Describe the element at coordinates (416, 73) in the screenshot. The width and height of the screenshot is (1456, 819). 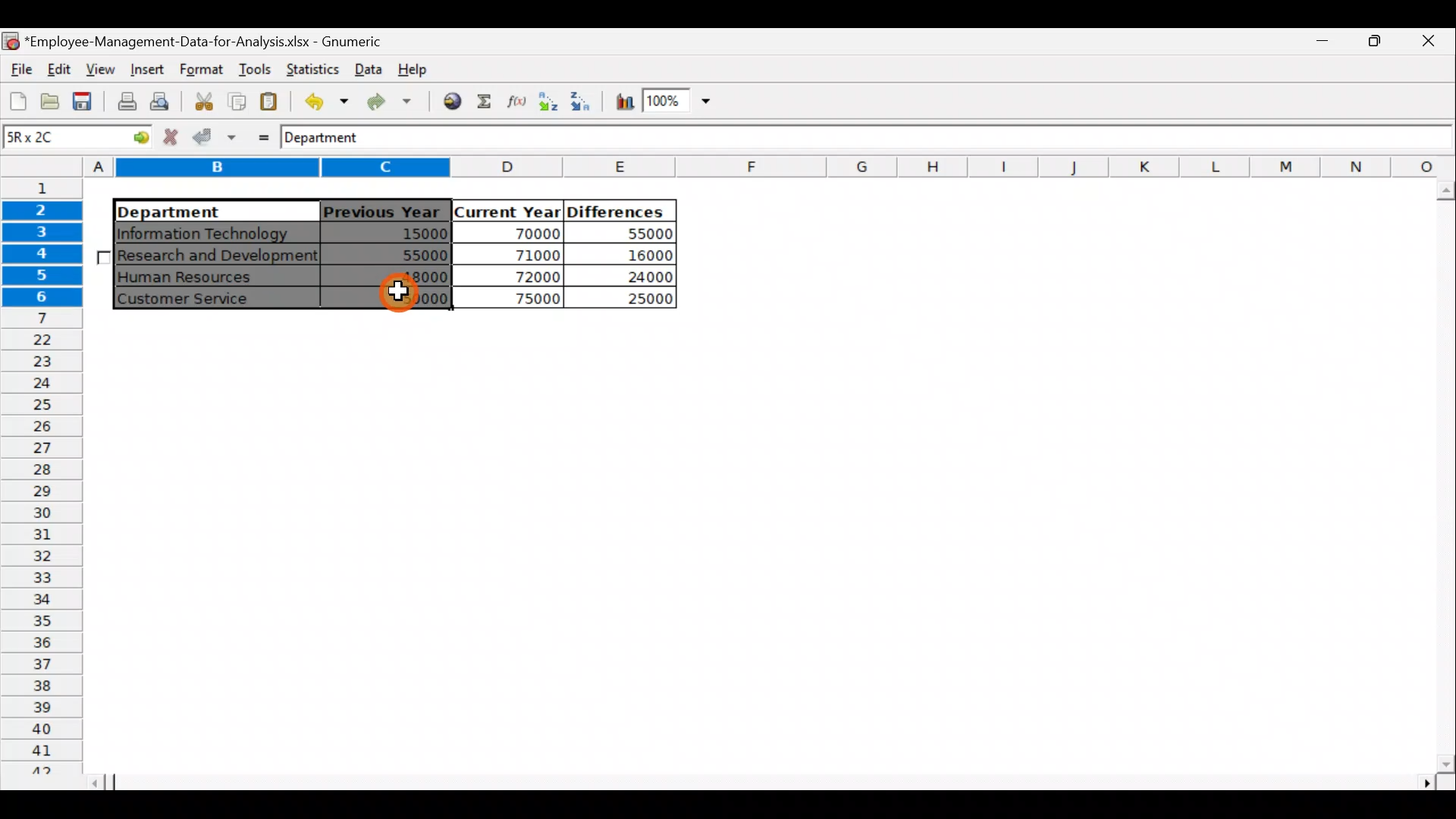
I see `Help` at that location.